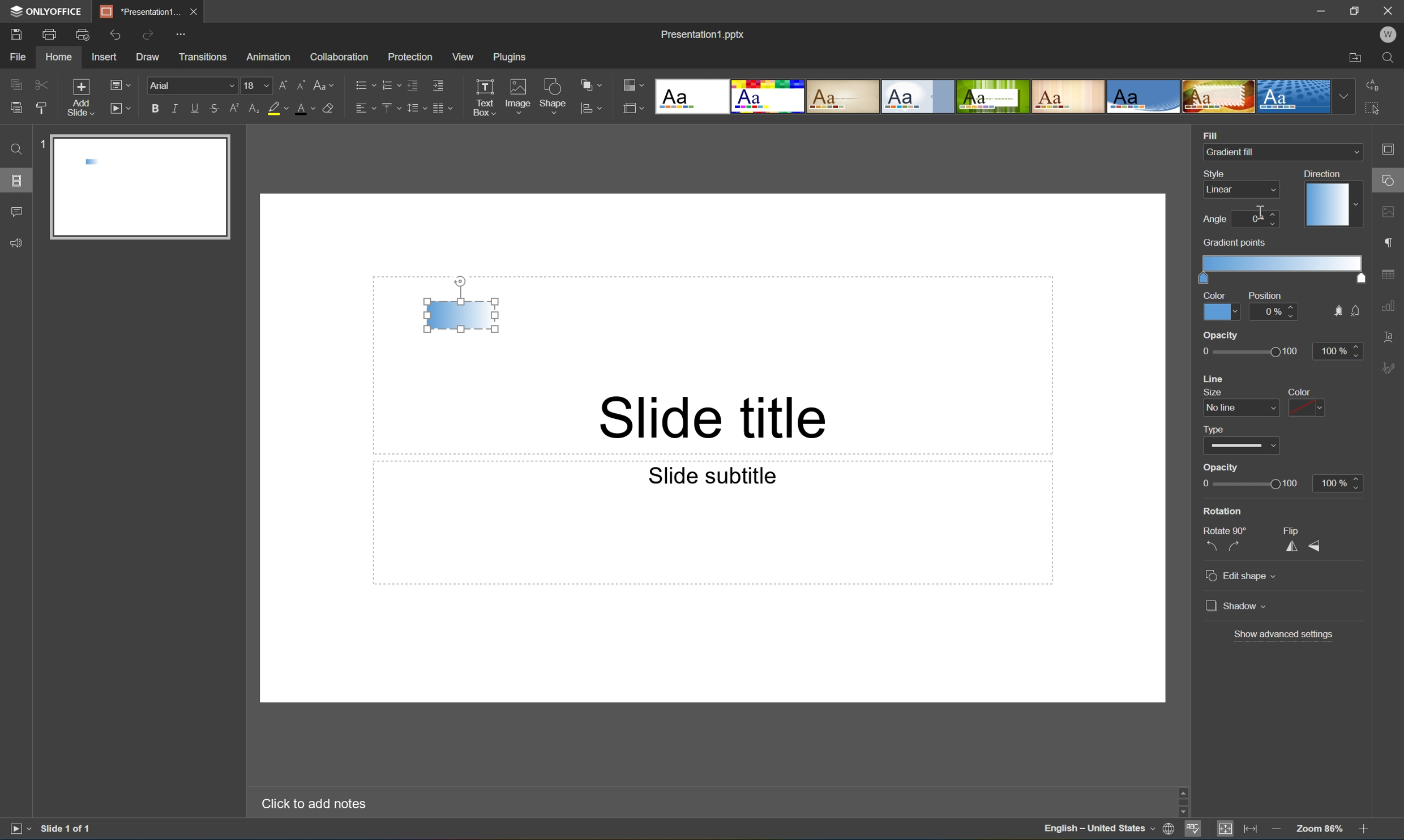 The height and width of the screenshot is (840, 1404). Describe the element at coordinates (1354, 152) in the screenshot. I see `Drop Down` at that location.